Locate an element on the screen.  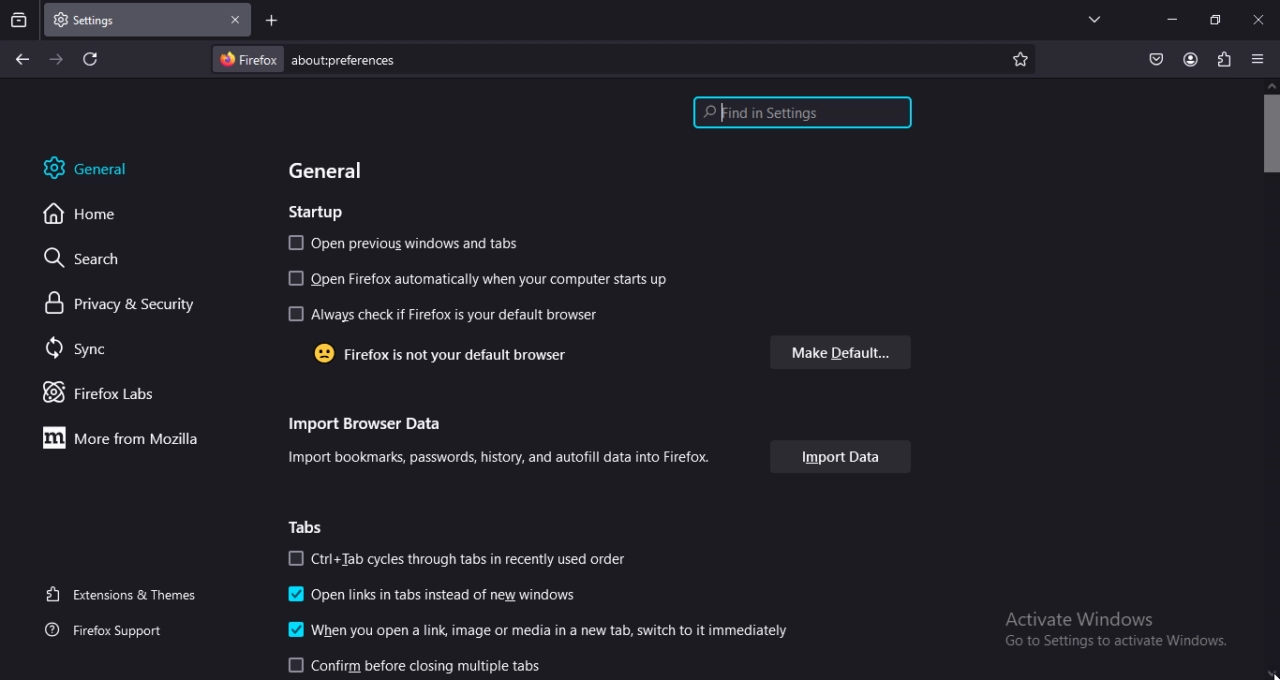
search is located at coordinates (80, 259).